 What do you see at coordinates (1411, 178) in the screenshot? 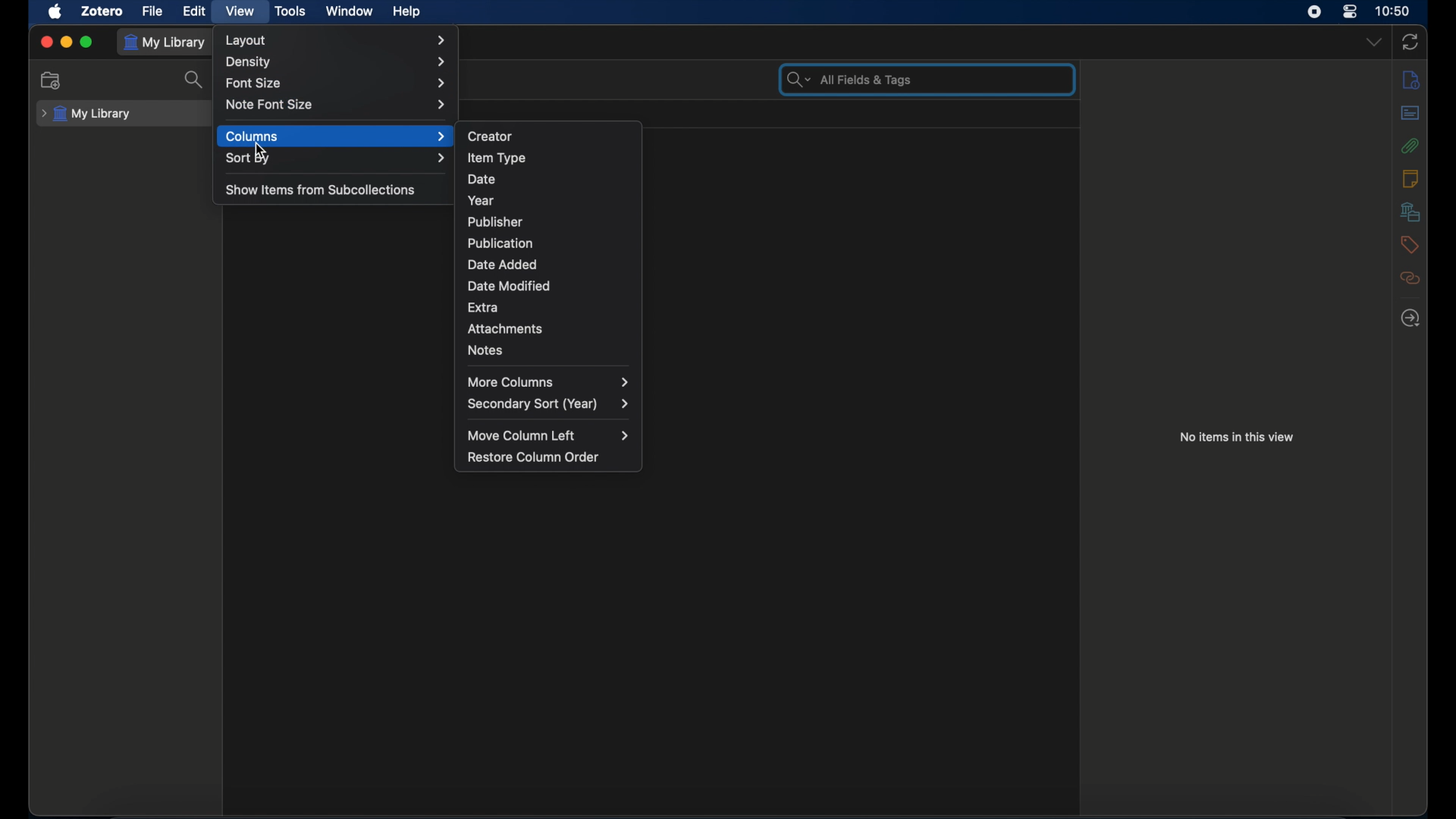
I see `notes` at bounding box center [1411, 178].